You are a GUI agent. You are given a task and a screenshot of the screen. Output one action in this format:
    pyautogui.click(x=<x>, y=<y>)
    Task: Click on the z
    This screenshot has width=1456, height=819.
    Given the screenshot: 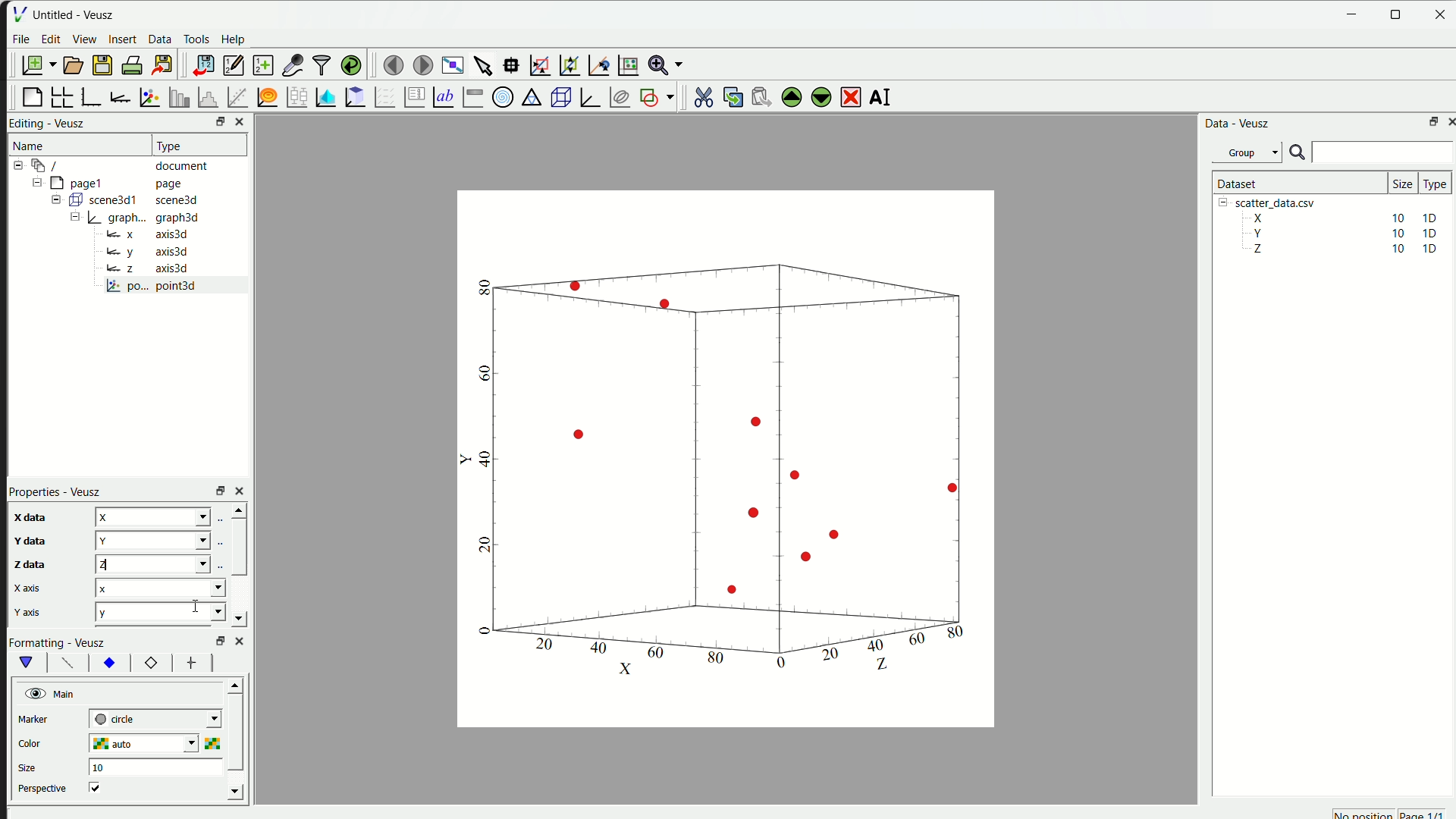 What is the action you would take?
    pyautogui.click(x=170, y=515)
    